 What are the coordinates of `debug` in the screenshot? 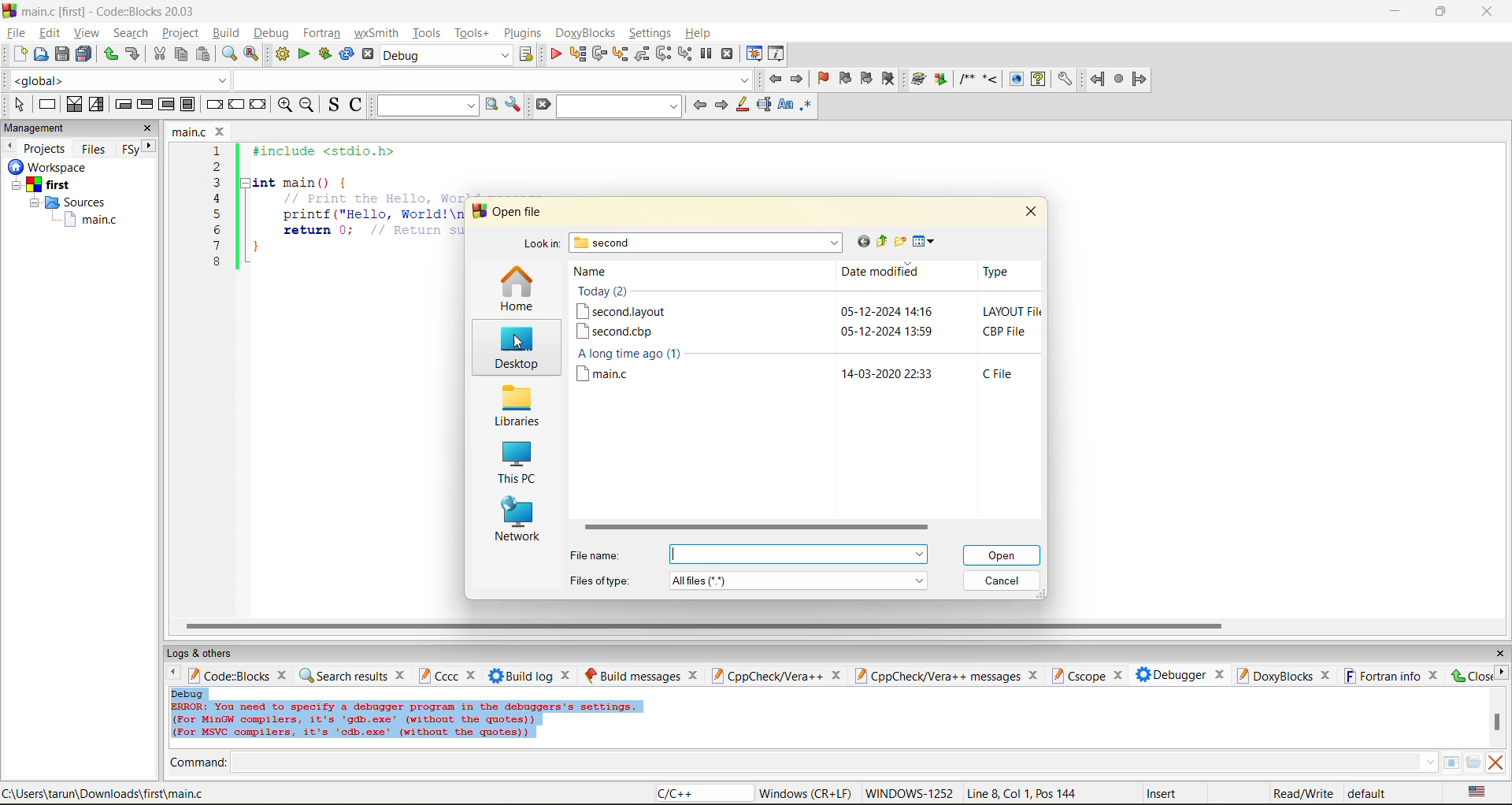 It's located at (269, 33).